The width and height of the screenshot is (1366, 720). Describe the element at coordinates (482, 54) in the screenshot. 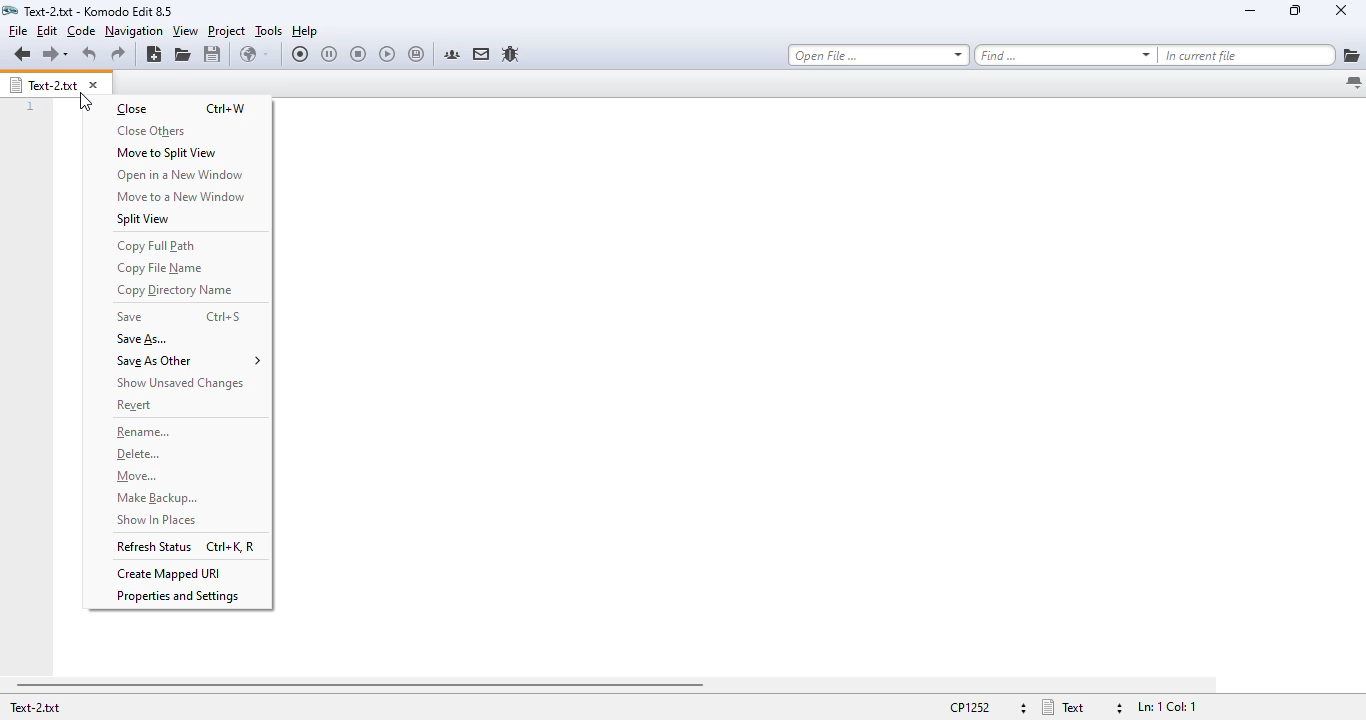

I see `komodo email lists` at that location.